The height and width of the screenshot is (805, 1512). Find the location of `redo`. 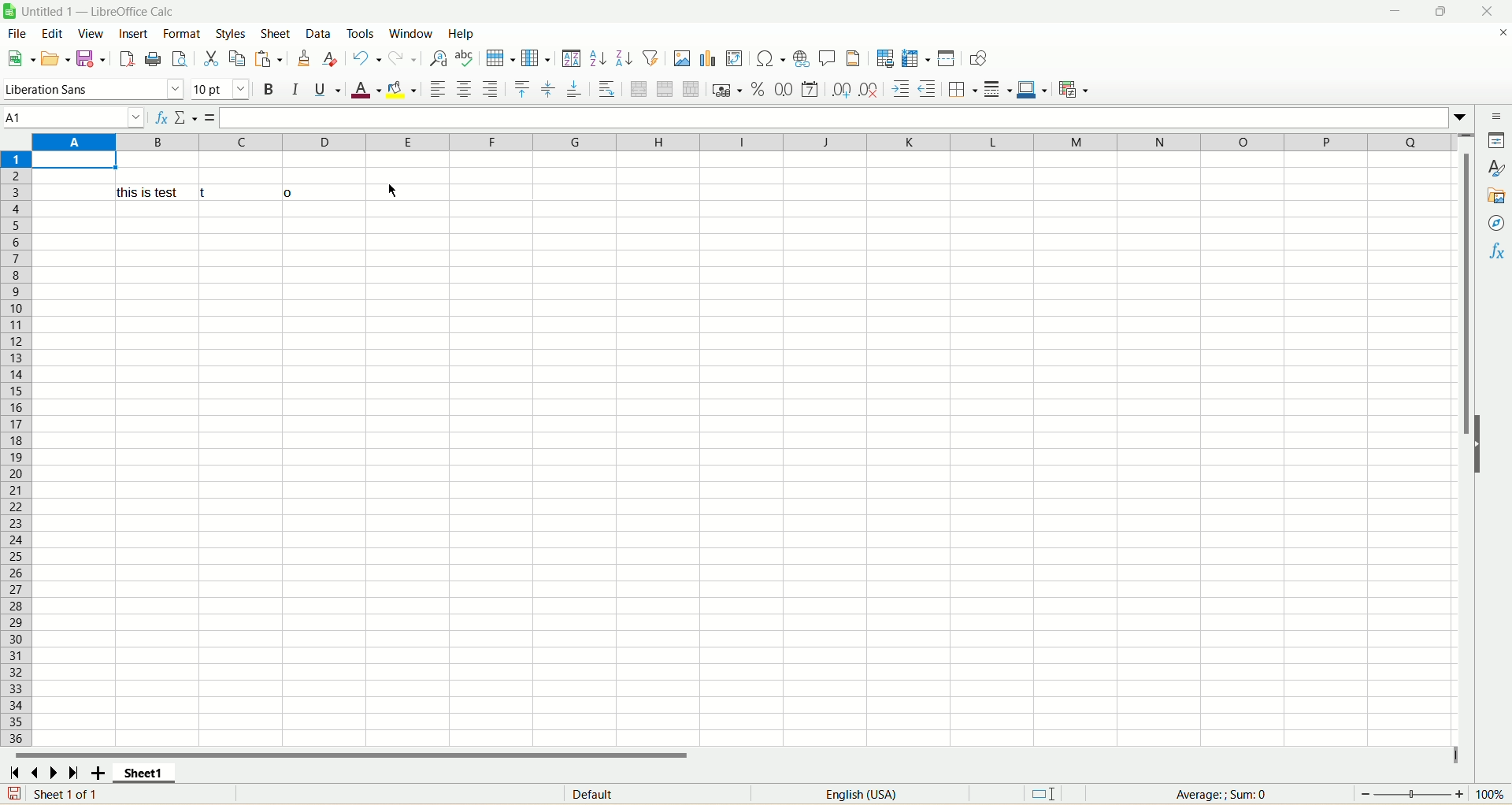

redo is located at coordinates (403, 57).